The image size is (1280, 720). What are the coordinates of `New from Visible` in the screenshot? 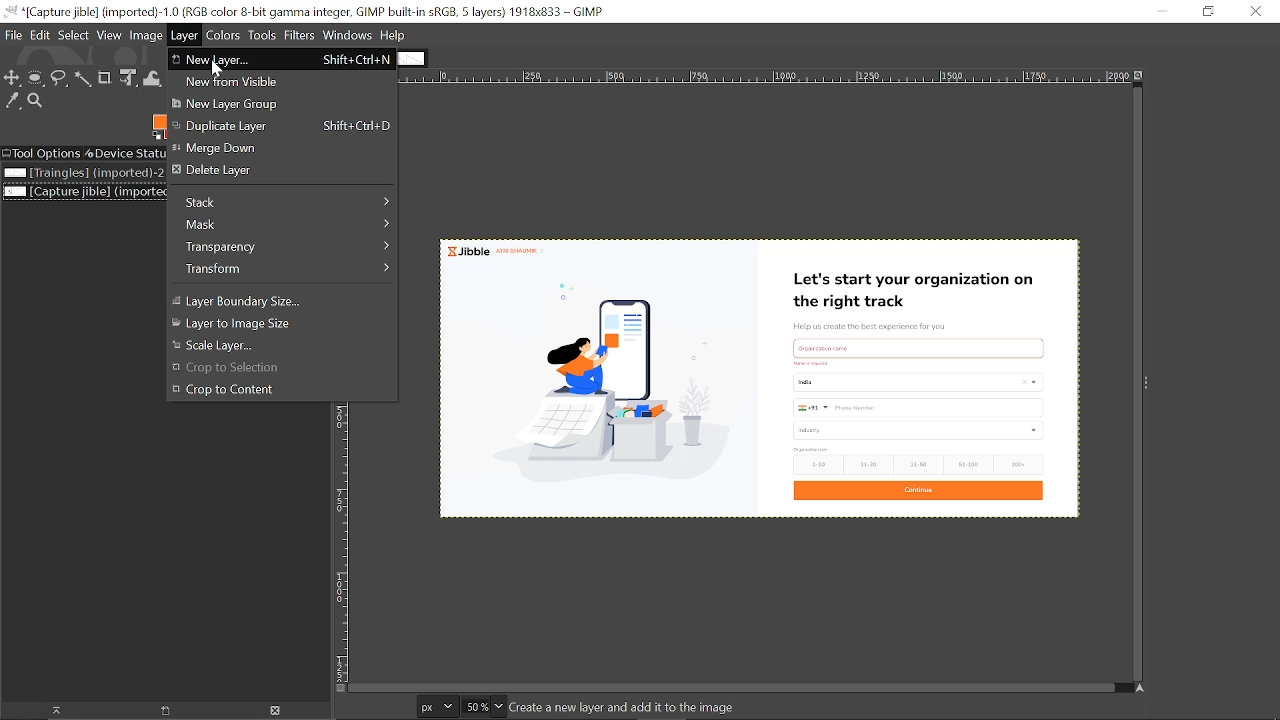 It's located at (276, 81).